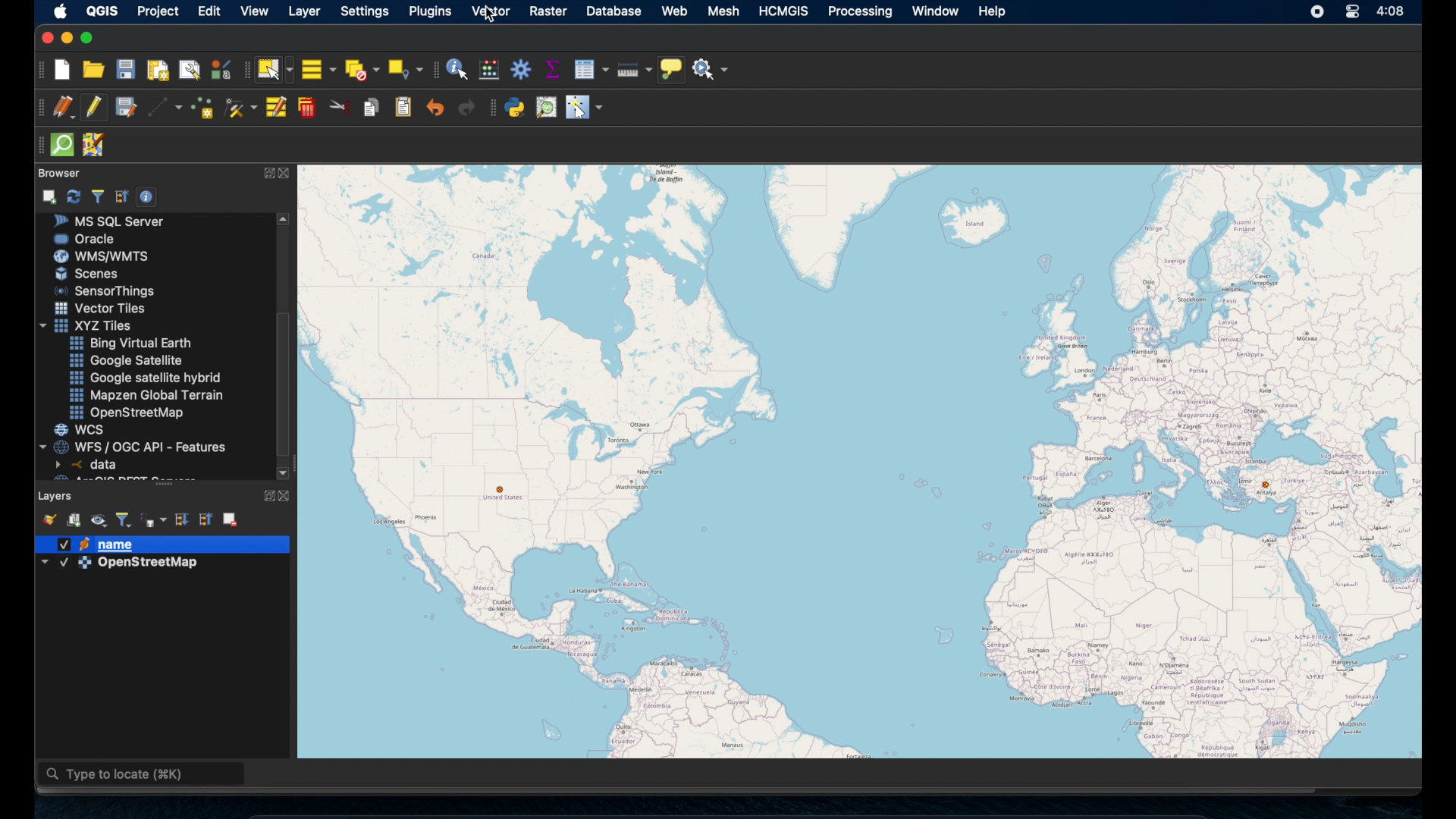 This screenshot has height=819, width=1456. I want to click on scroll up arrow, so click(285, 218).